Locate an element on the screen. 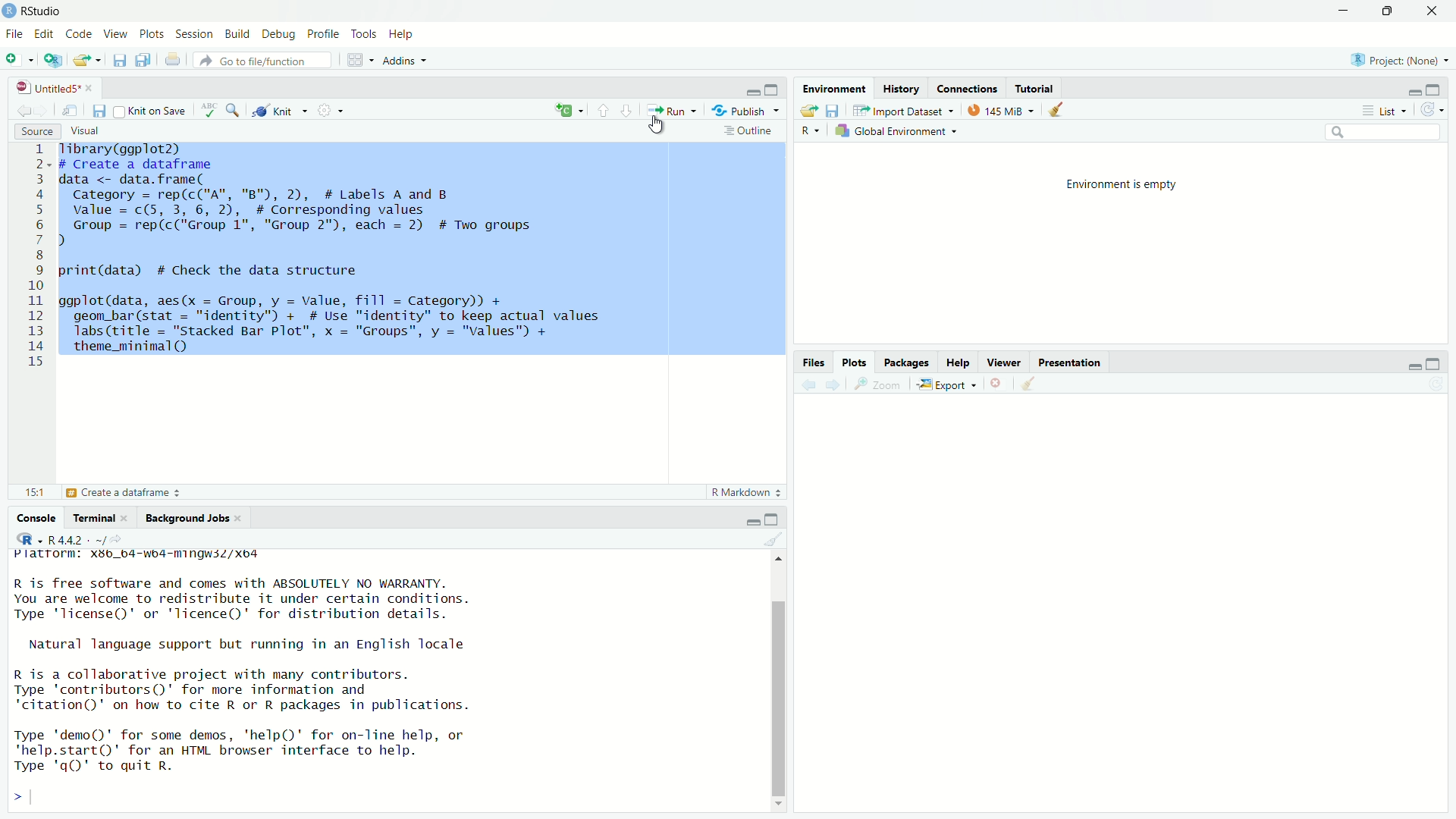 The width and height of the screenshot is (1456, 819). Run the current line or selection (Ctrl + Enter) is located at coordinates (674, 109).